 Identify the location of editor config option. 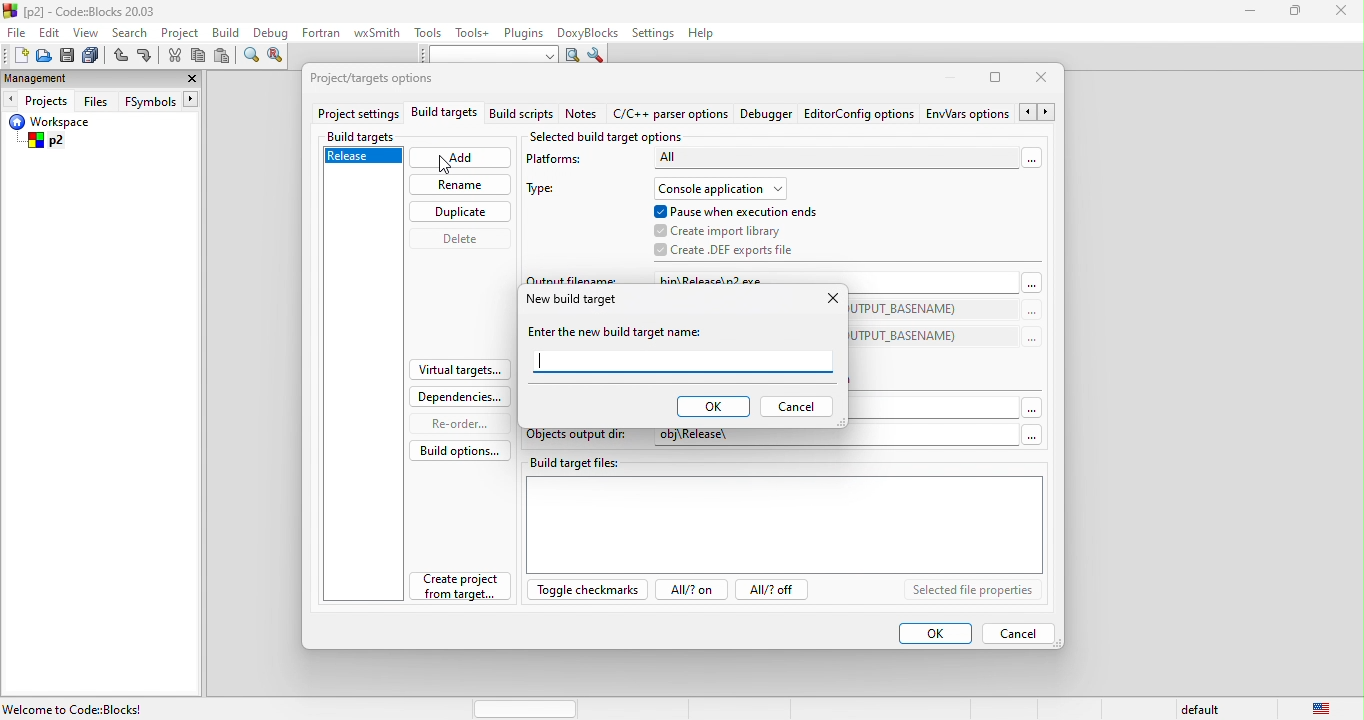
(862, 112).